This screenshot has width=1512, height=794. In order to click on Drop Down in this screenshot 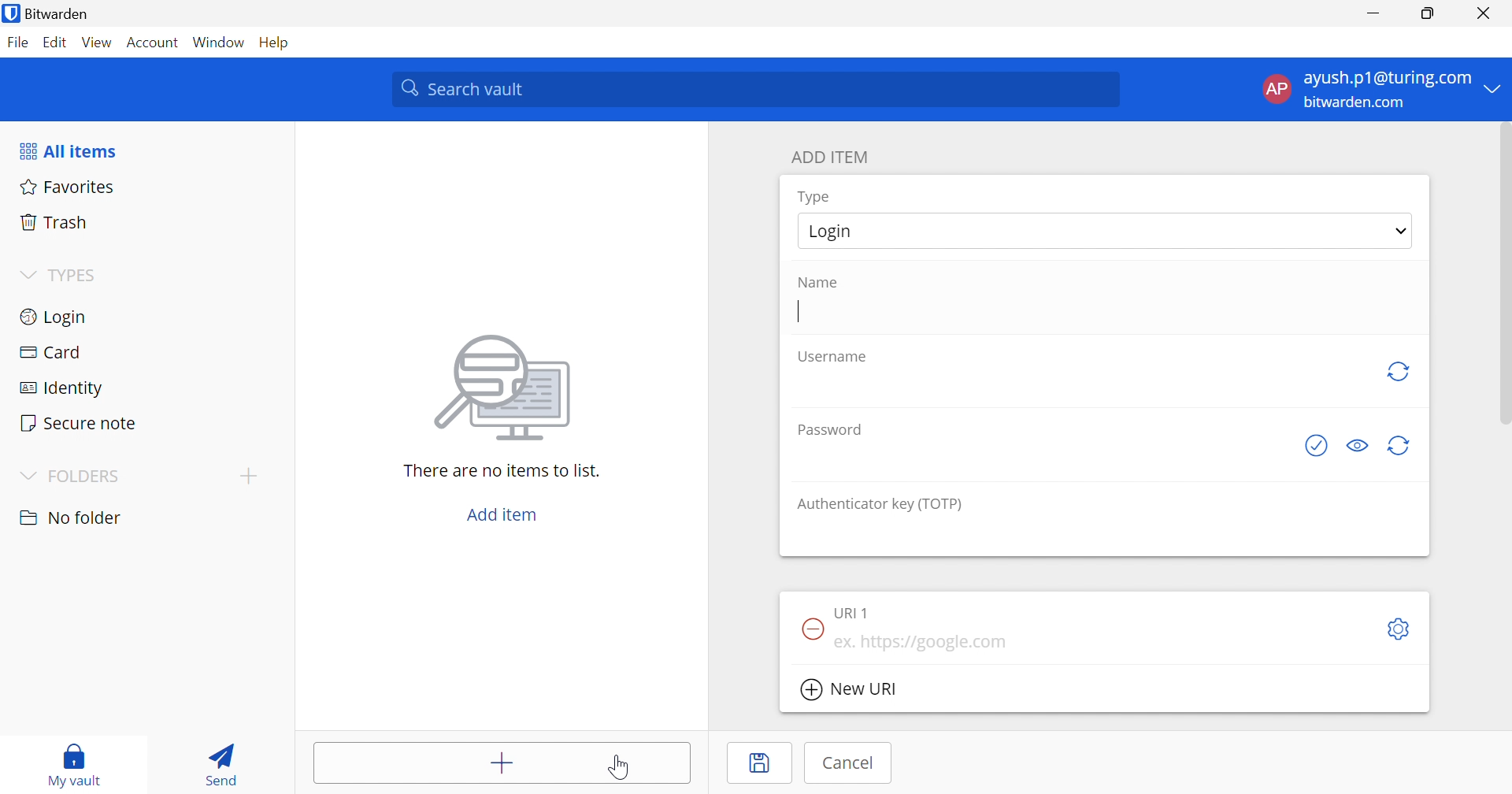, I will do `click(1494, 87)`.